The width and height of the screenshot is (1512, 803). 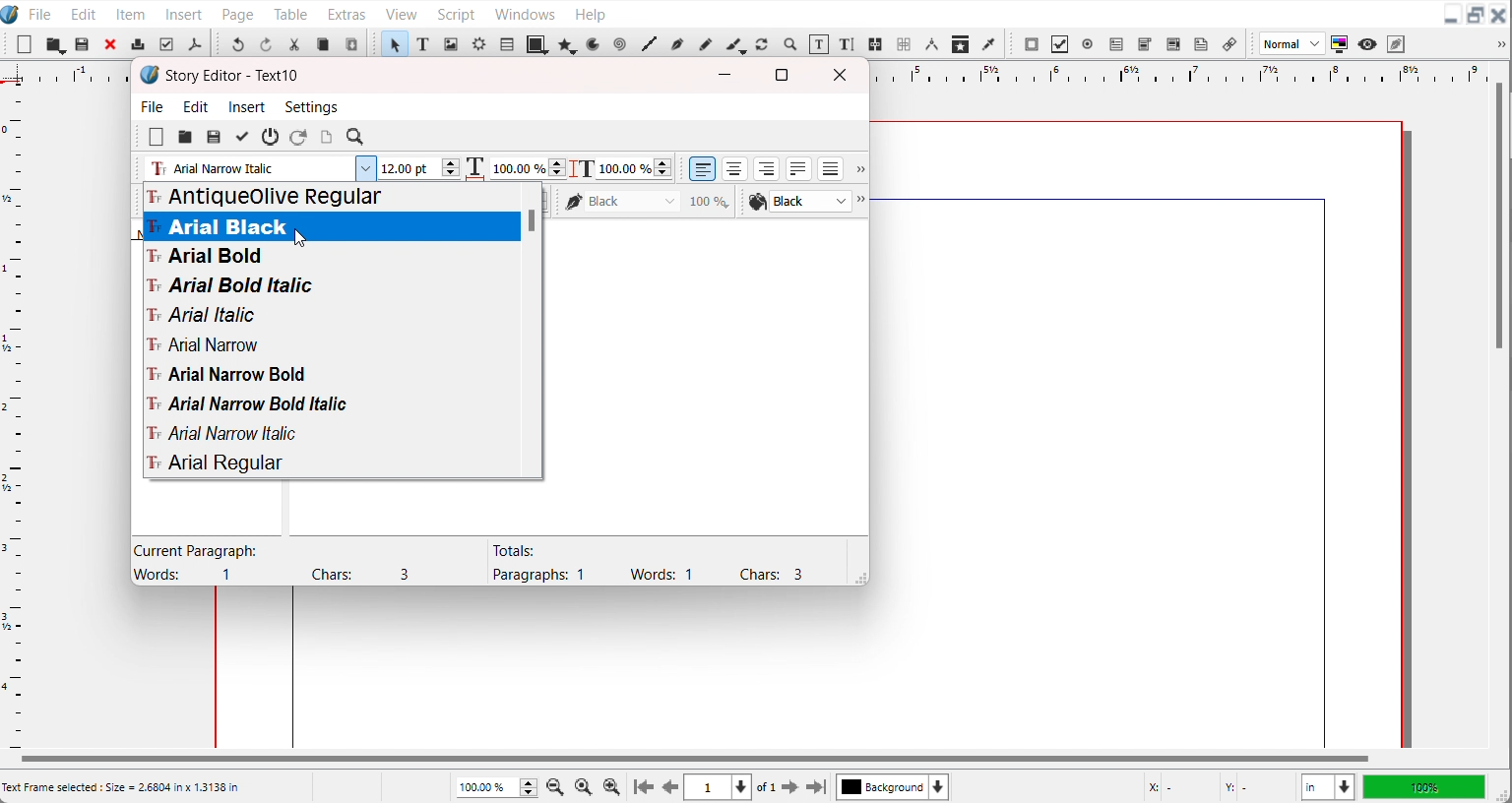 I want to click on Cut, so click(x=294, y=44).